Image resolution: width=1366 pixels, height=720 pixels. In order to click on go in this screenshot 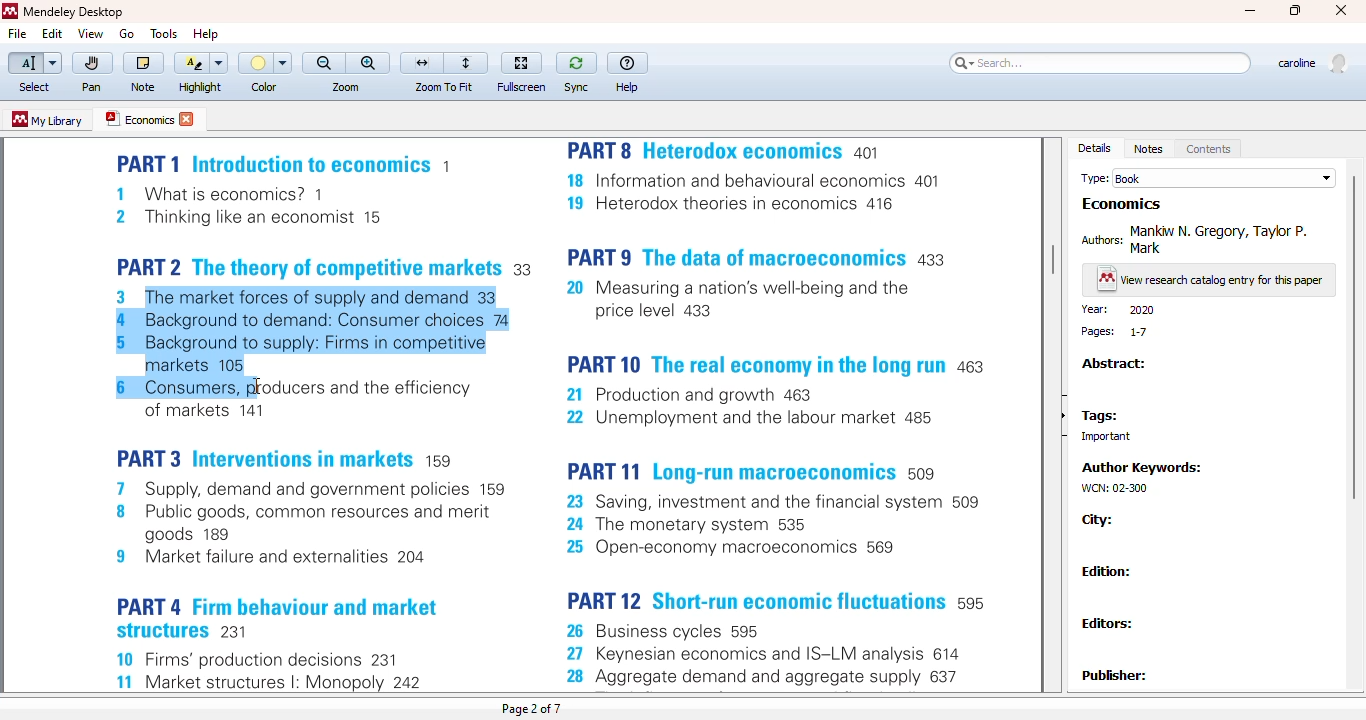, I will do `click(126, 34)`.